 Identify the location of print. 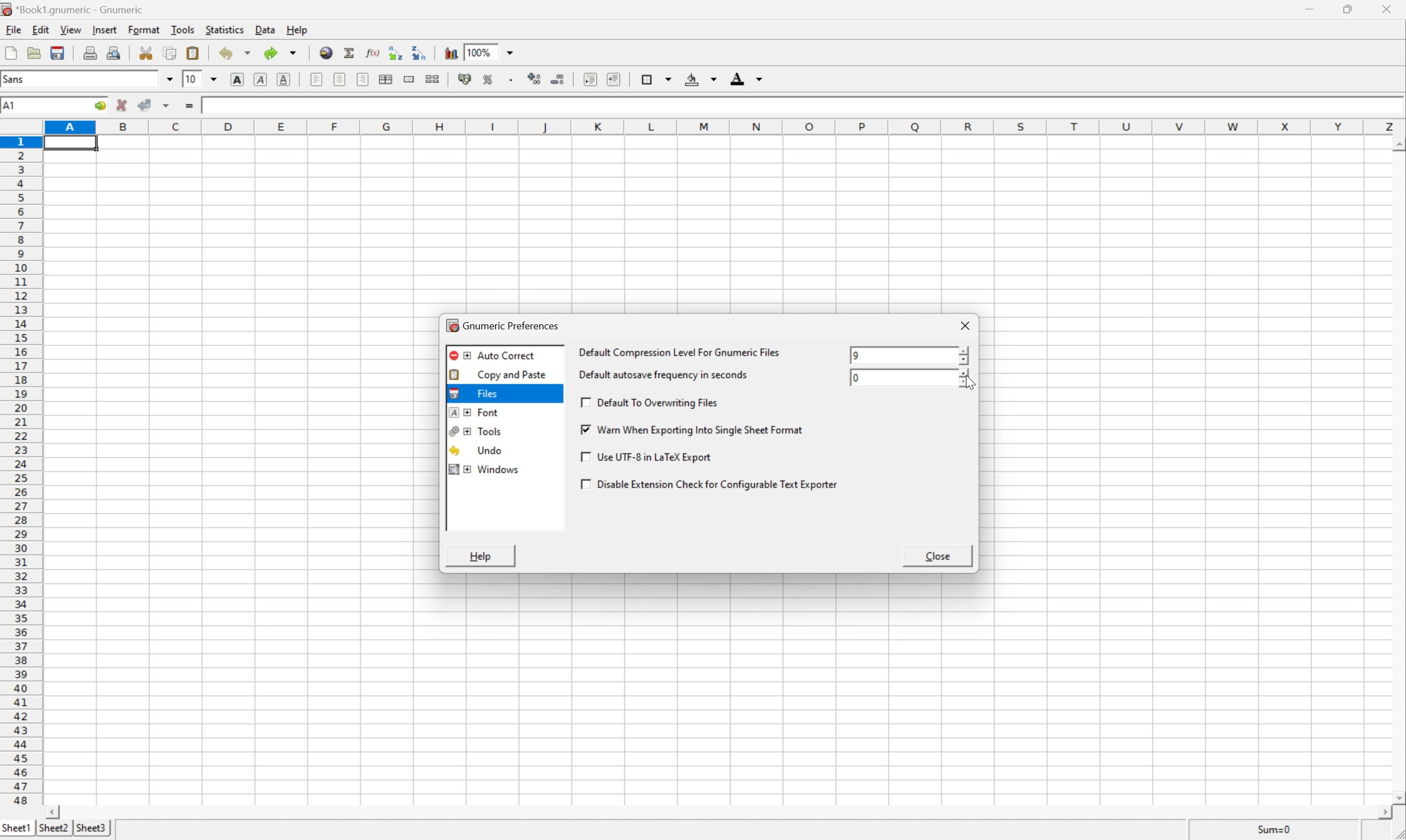
(91, 51).